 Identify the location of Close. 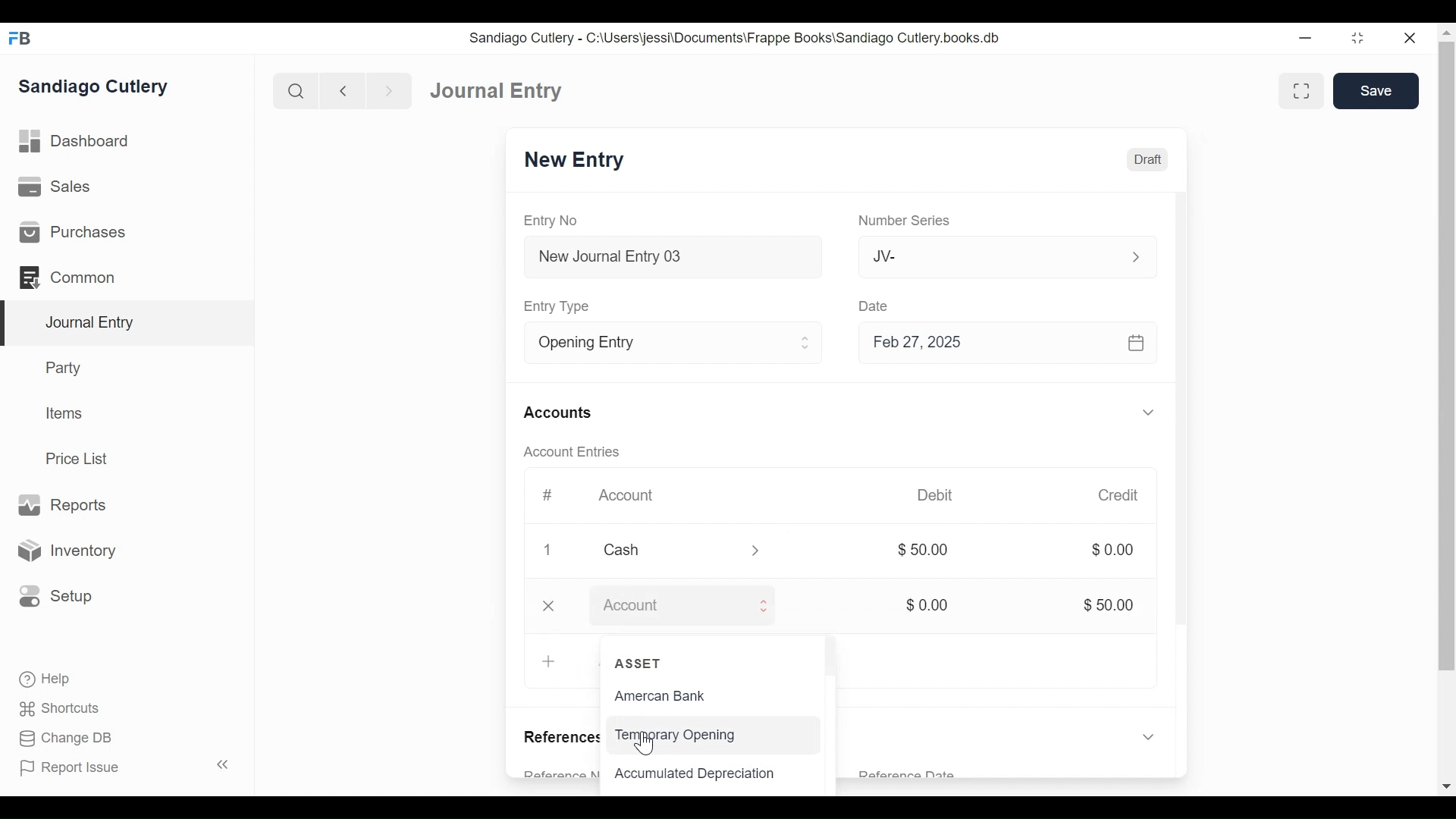
(1410, 37).